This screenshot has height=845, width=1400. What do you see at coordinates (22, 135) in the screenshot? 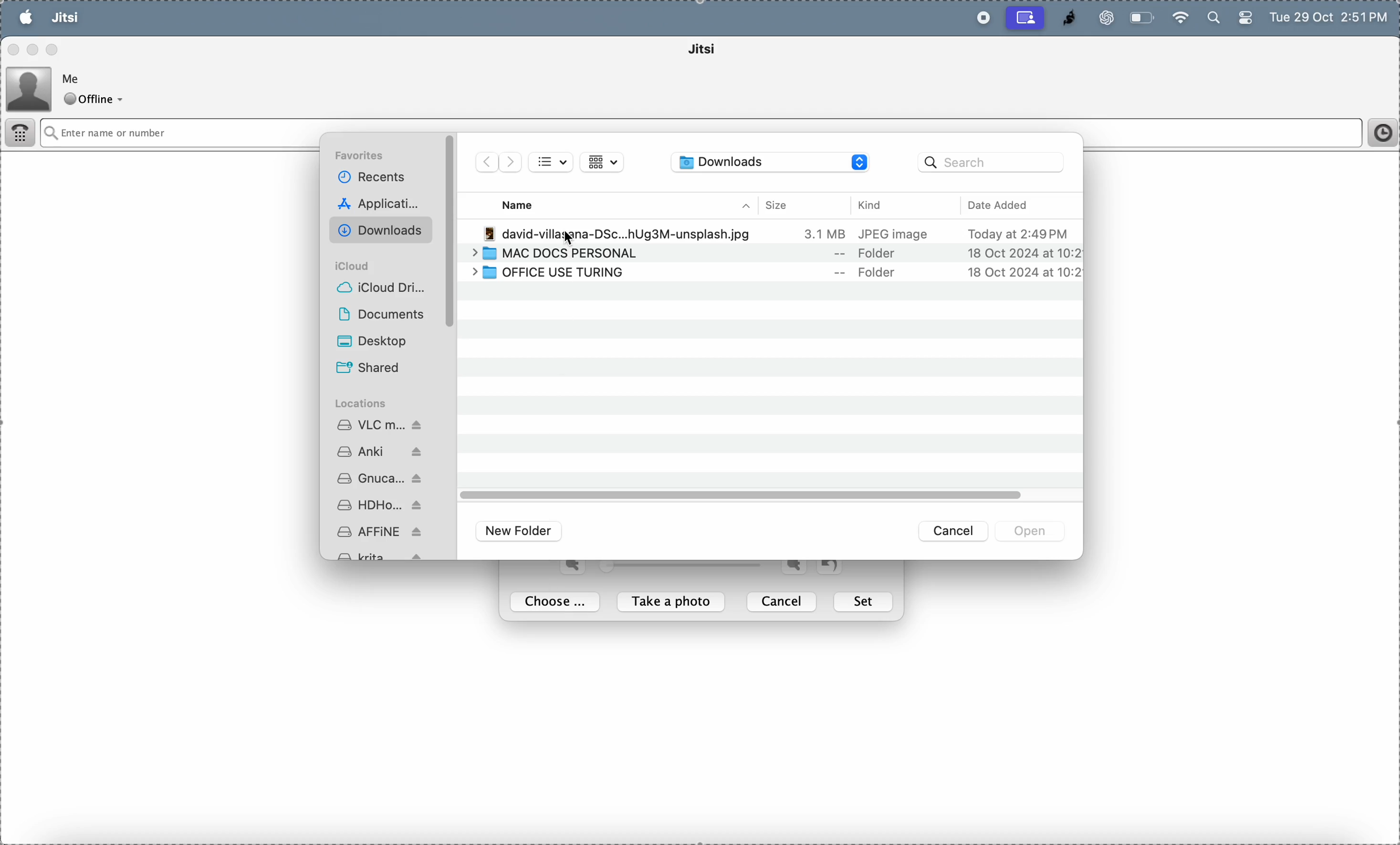
I see `dialer` at bounding box center [22, 135].